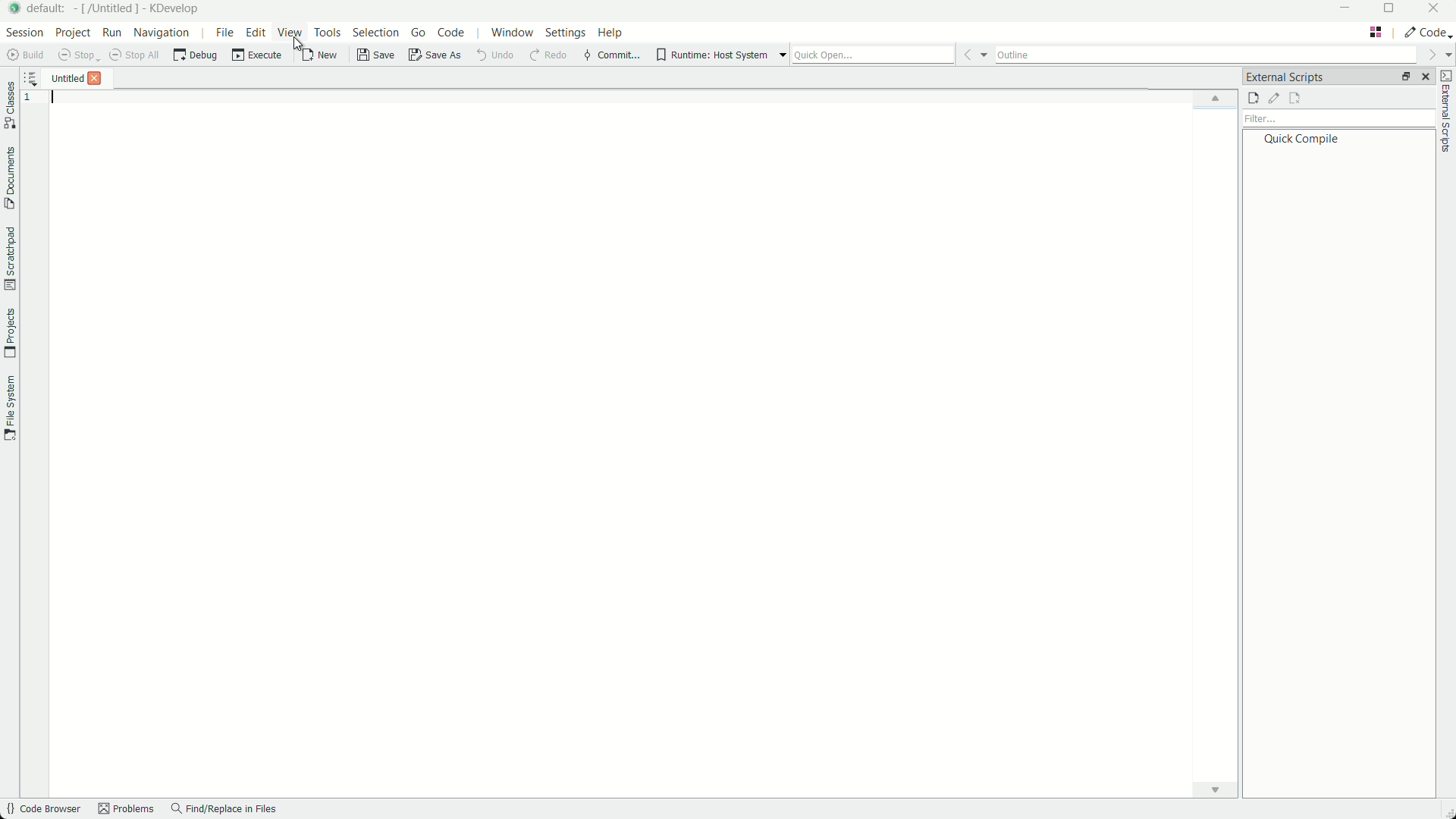 The height and width of the screenshot is (819, 1456). I want to click on workspace, so click(648, 450).